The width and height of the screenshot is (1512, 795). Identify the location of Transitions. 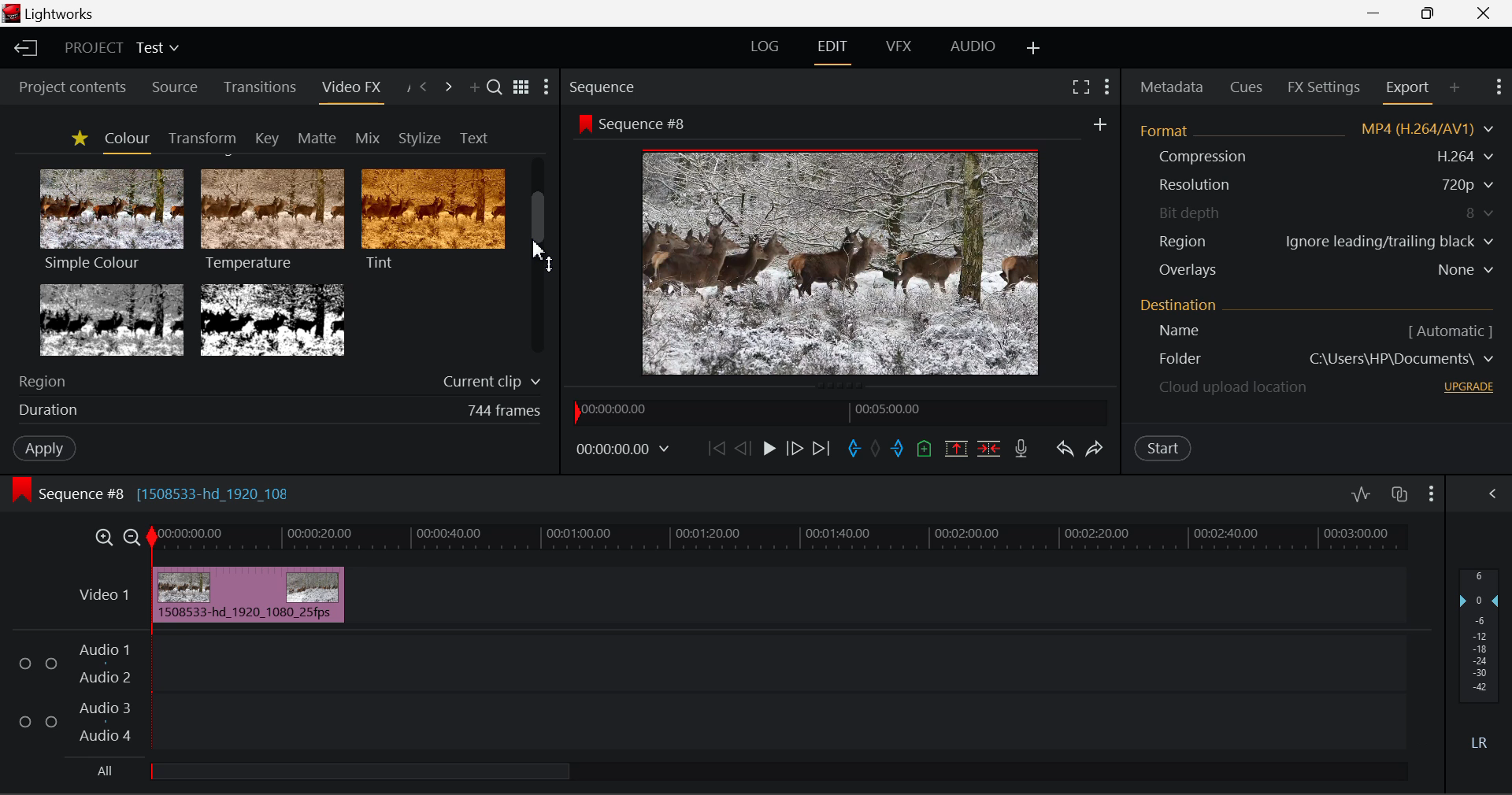
(258, 87).